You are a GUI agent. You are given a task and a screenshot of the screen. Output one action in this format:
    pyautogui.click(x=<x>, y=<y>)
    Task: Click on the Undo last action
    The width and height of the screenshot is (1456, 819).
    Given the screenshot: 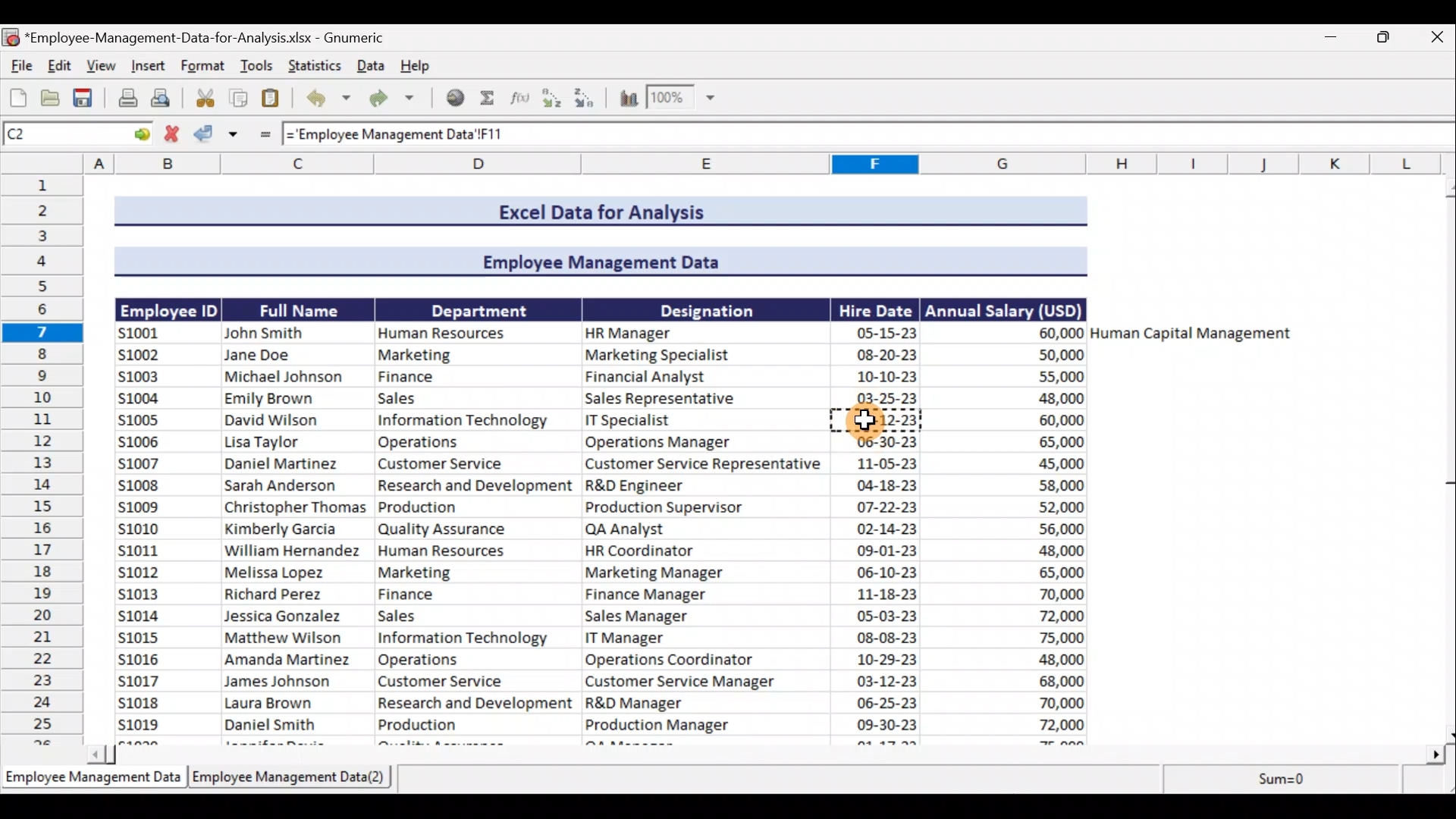 What is the action you would take?
    pyautogui.click(x=325, y=100)
    